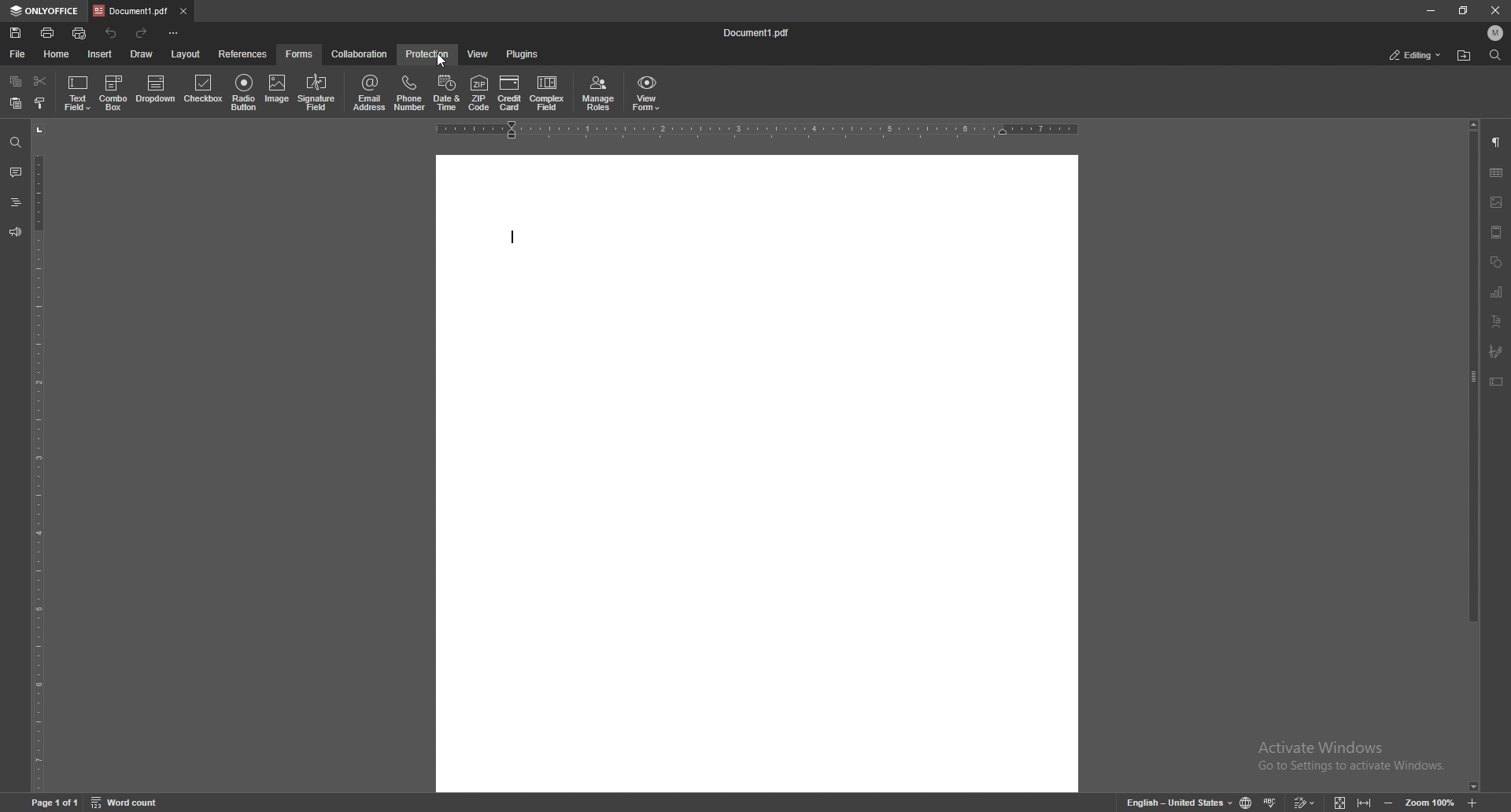 The height and width of the screenshot is (812, 1511). What do you see at coordinates (300, 54) in the screenshot?
I see `forms` at bounding box center [300, 54].